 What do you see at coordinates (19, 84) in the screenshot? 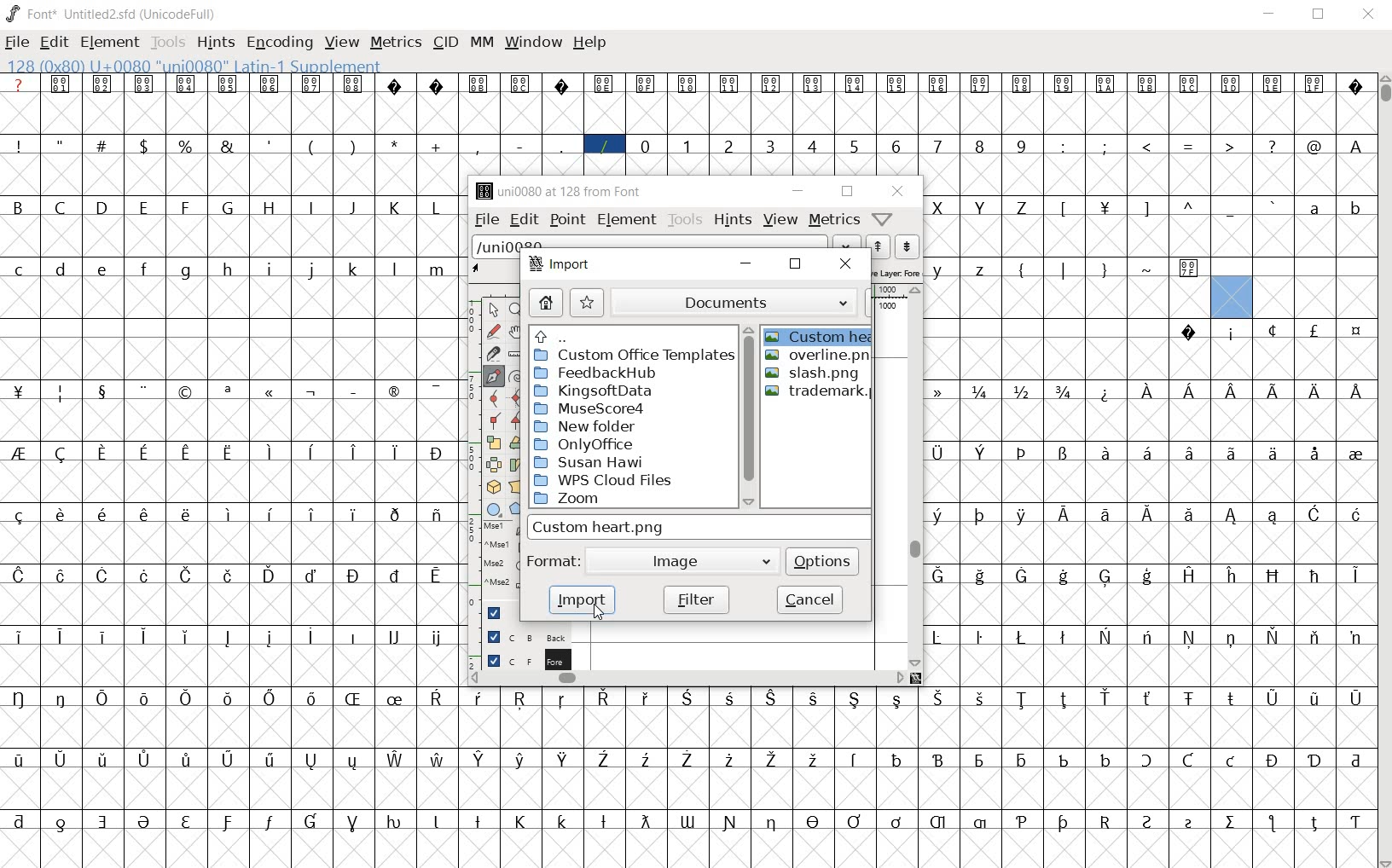
I see `Glyph` at bounding box center [19, 84].